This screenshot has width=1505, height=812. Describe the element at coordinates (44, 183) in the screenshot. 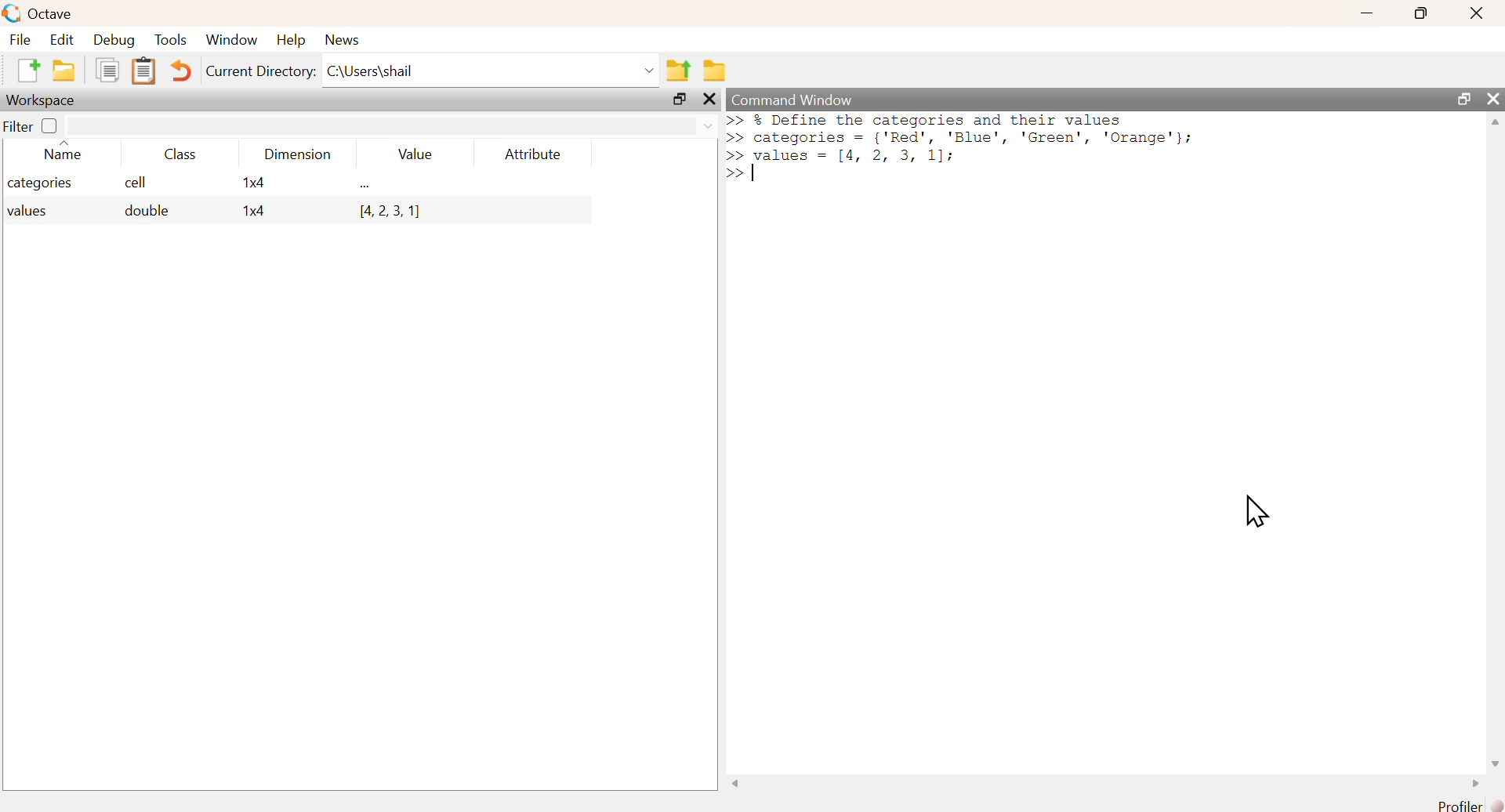

I see `categories` at that location.